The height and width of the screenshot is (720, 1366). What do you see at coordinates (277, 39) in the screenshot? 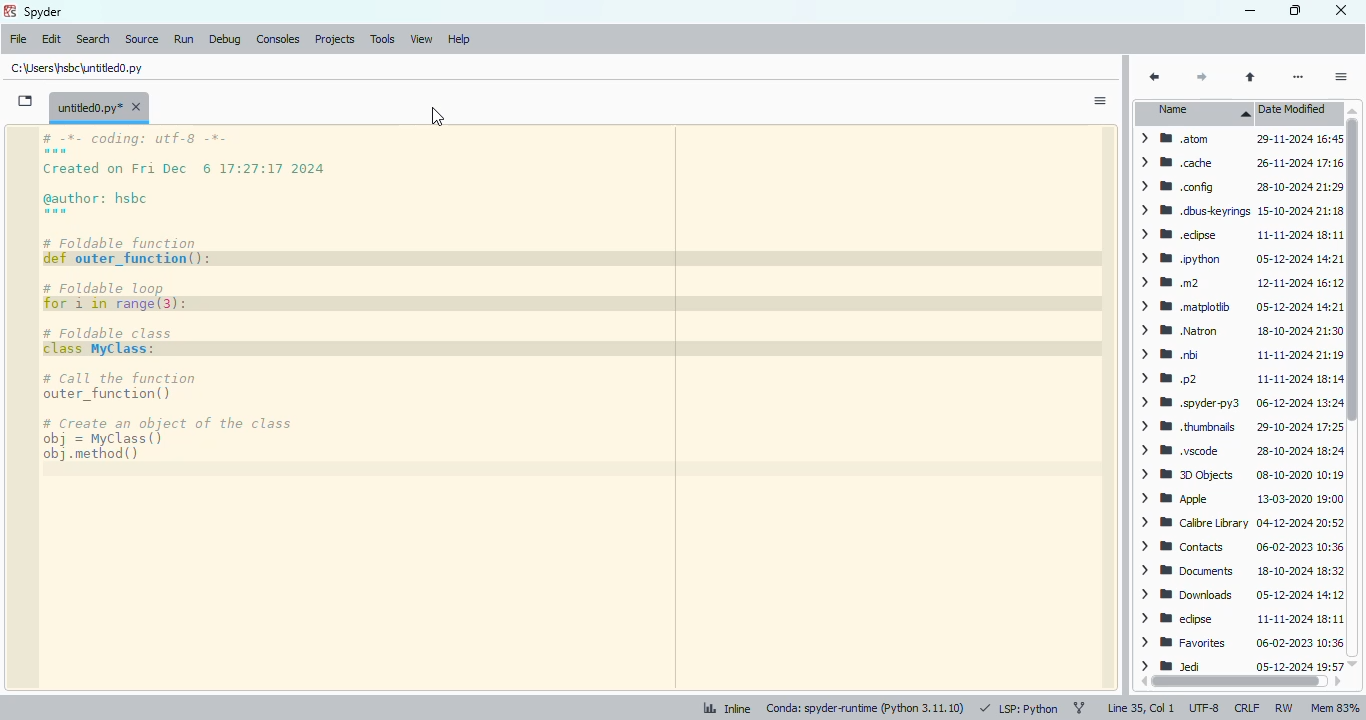
I see `consoles` at bounding box center [277, 39].